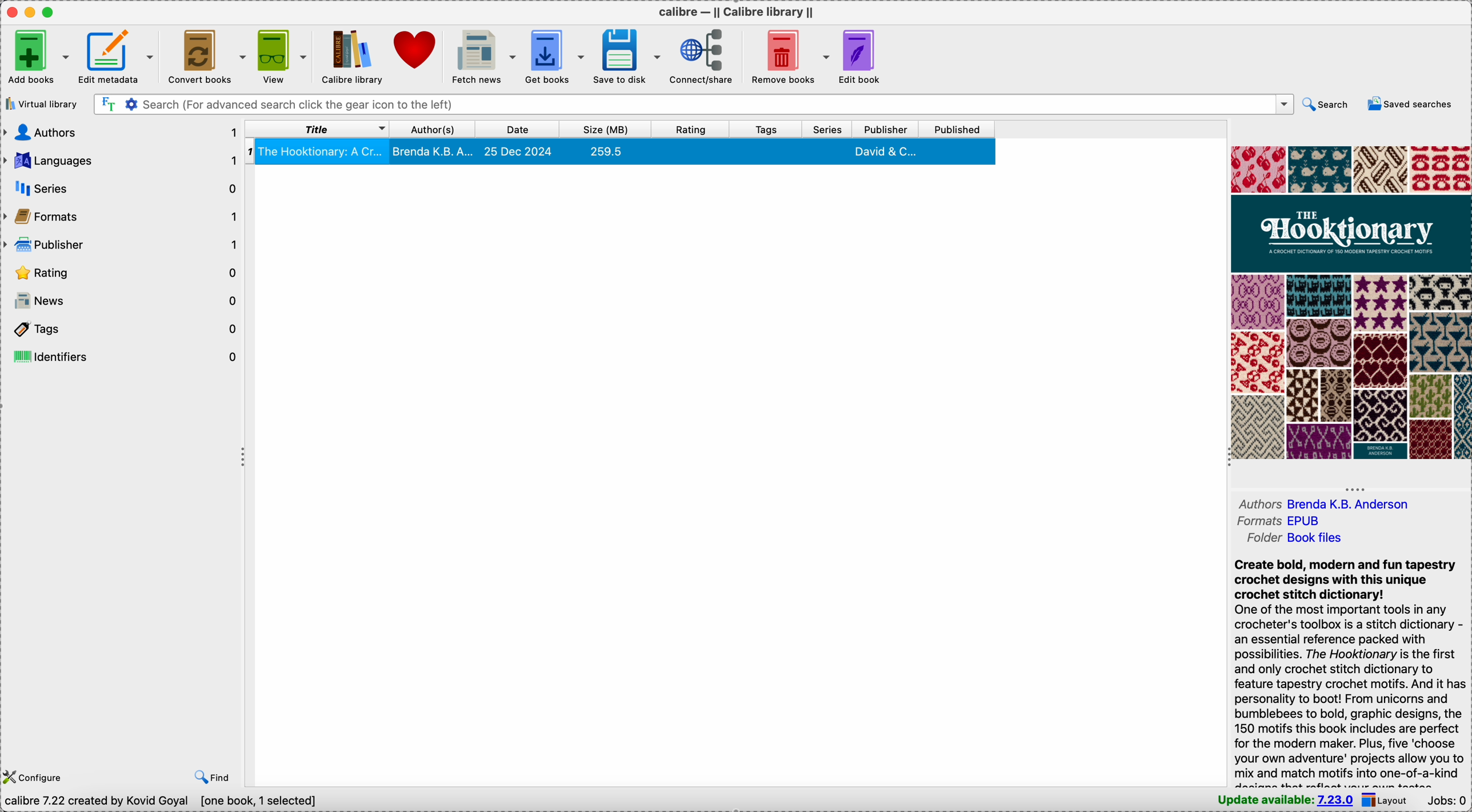 Image resolution: width=1472 pixels, height=812 pixels. I want to click on published, so click(958, 129).